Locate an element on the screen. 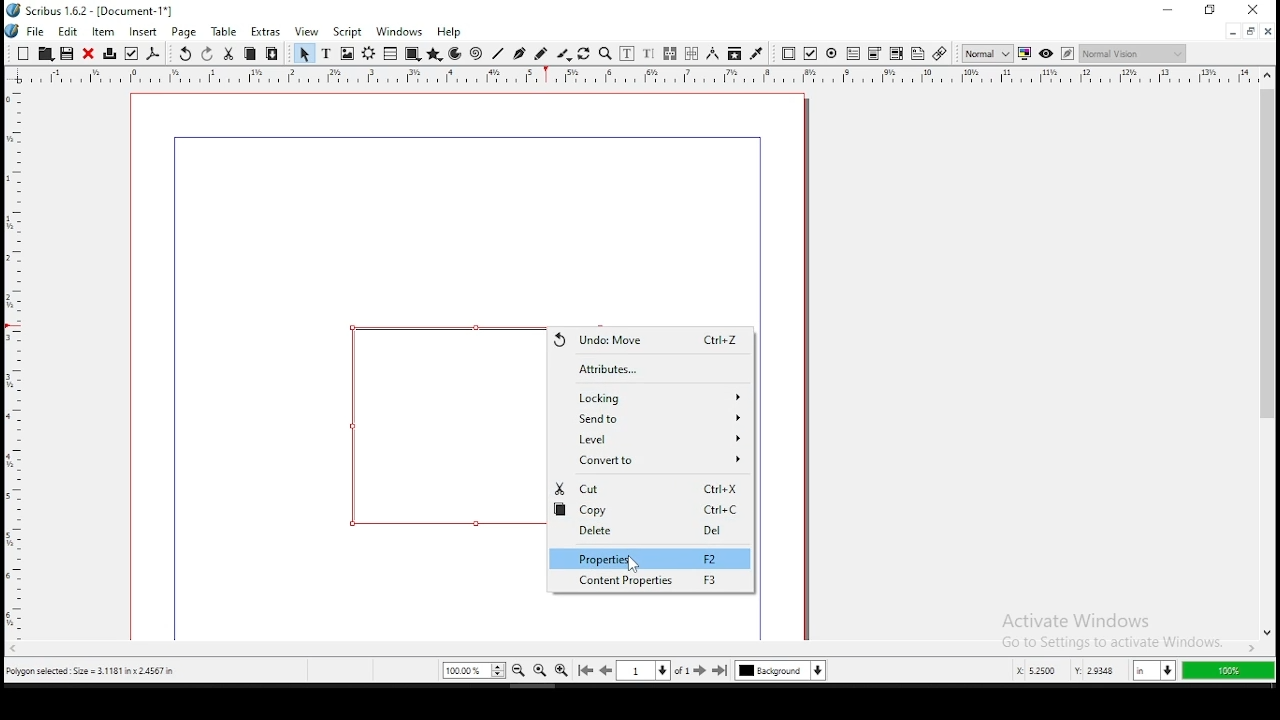 This screenshot has width=1280, height=720. pdf radio button is located at coordinates (832, 53).